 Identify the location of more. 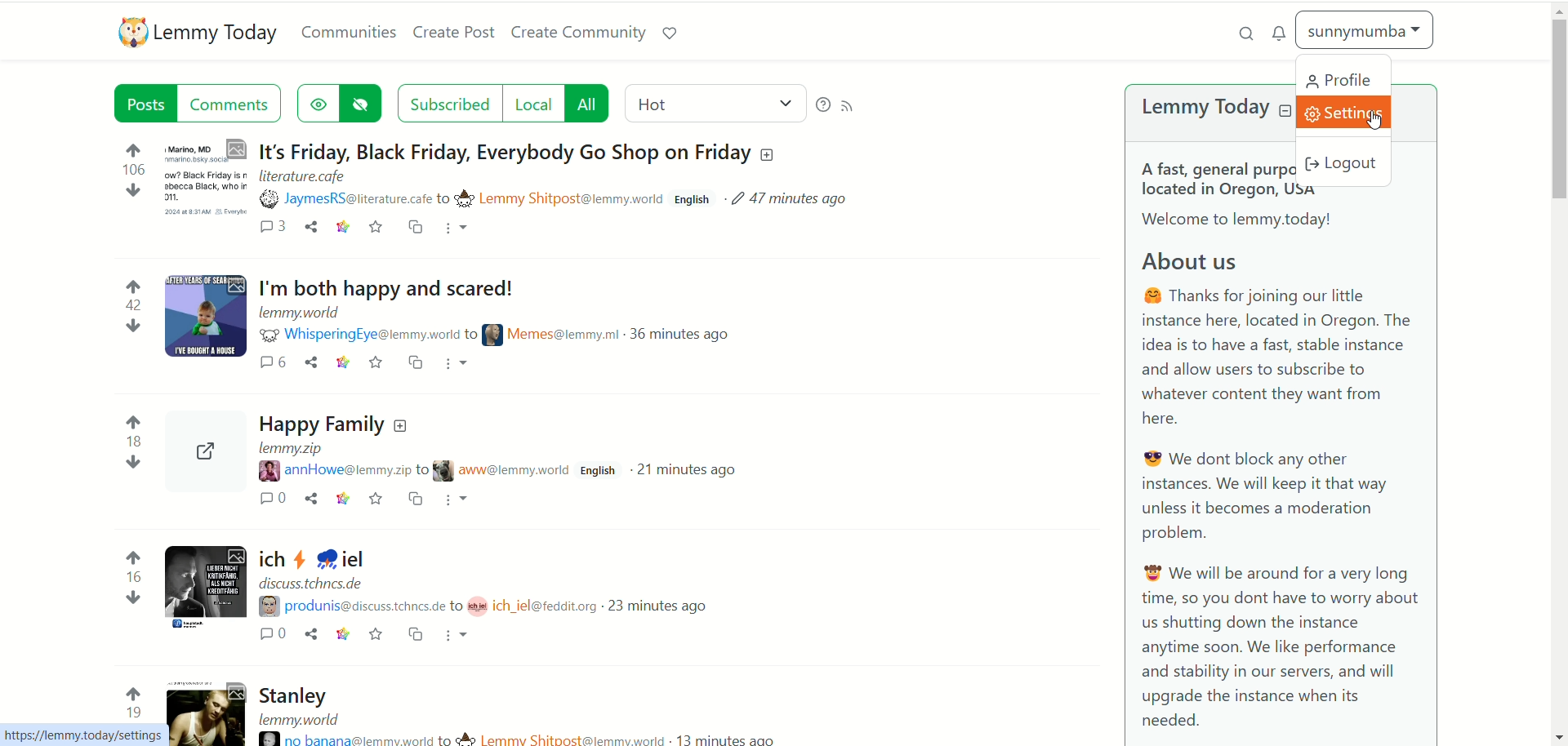
(459, 230).